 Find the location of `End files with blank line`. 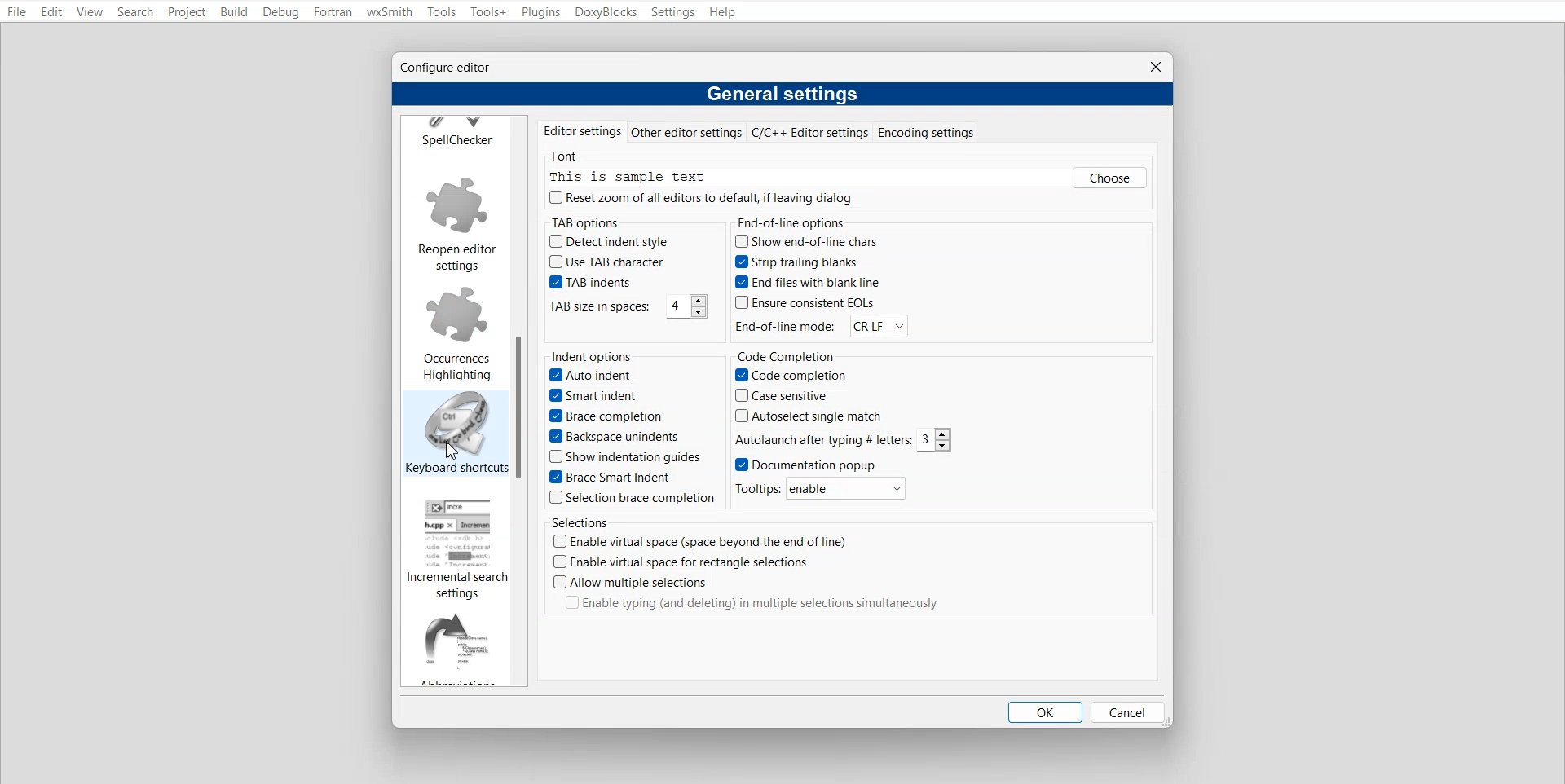

End files with blank line is located at coordinates (803, 284).